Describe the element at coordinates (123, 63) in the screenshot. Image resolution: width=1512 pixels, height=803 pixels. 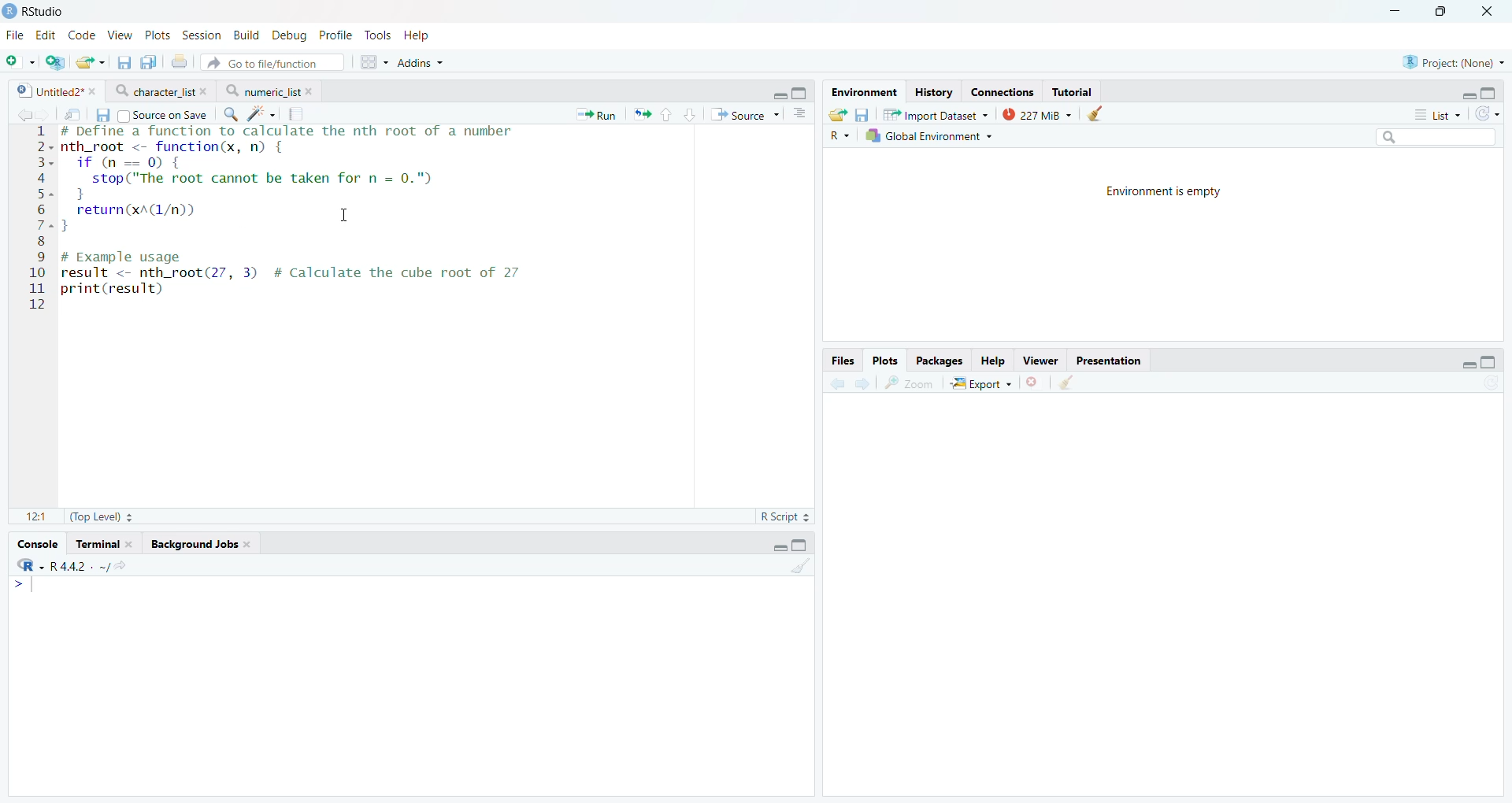
I see `Save current file` at that location.